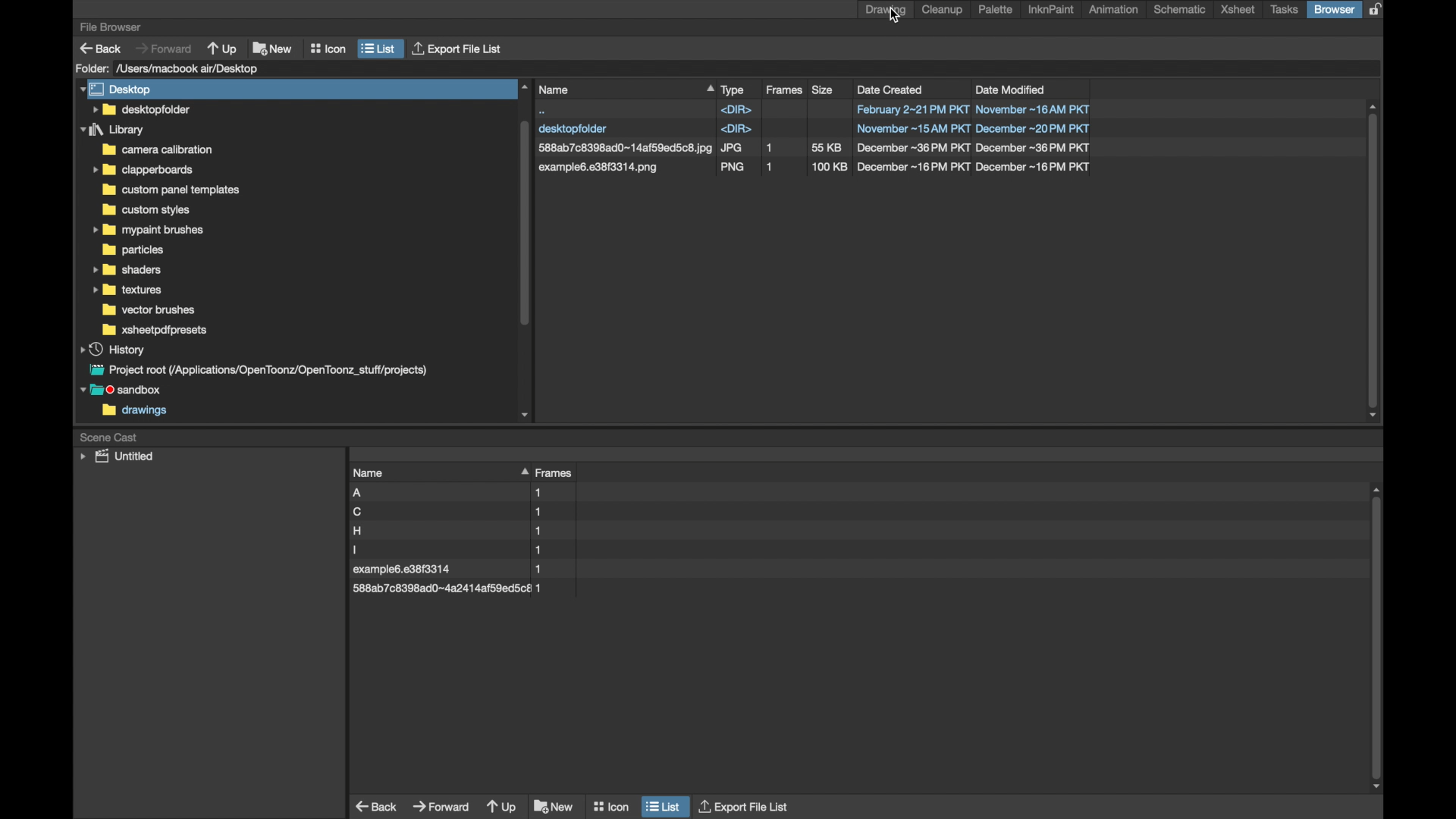 This screenshot has height=819, width=1456. What do you see at coordinates (733, 89) in the screenshot?
I see `type` at bounding box center [733, 89].